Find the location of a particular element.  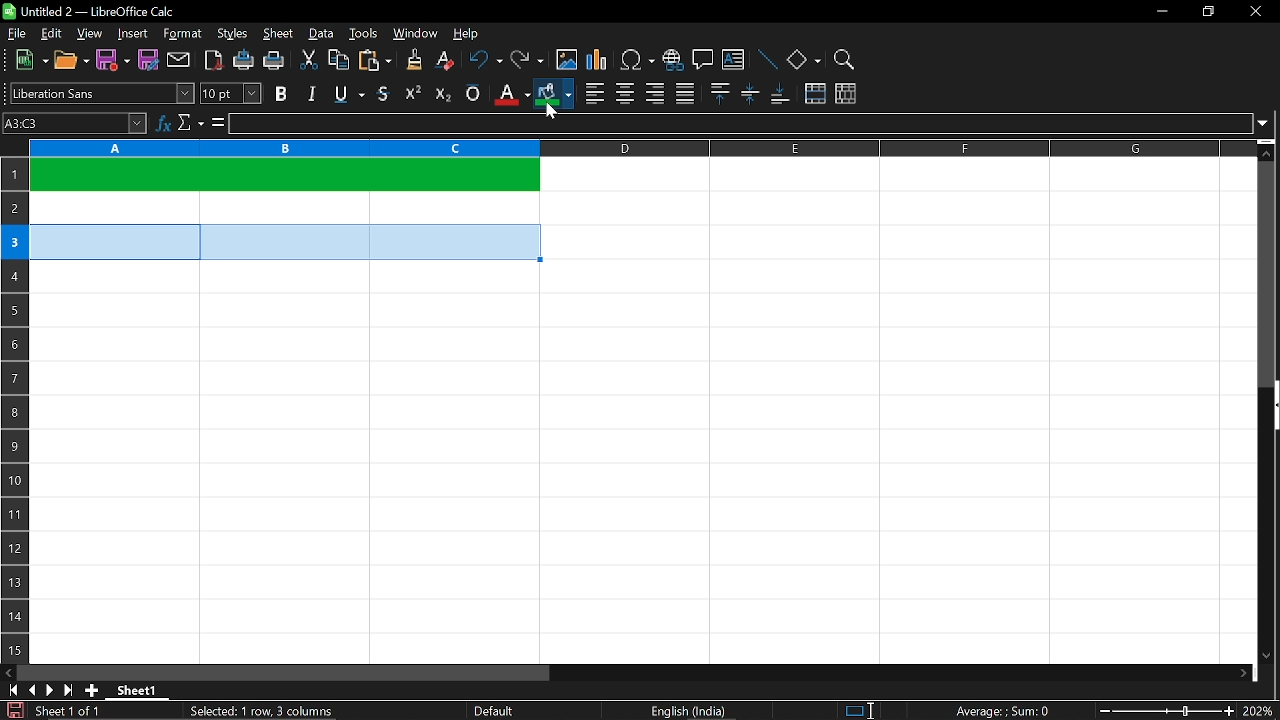

data is located at coordinates (322, 35).